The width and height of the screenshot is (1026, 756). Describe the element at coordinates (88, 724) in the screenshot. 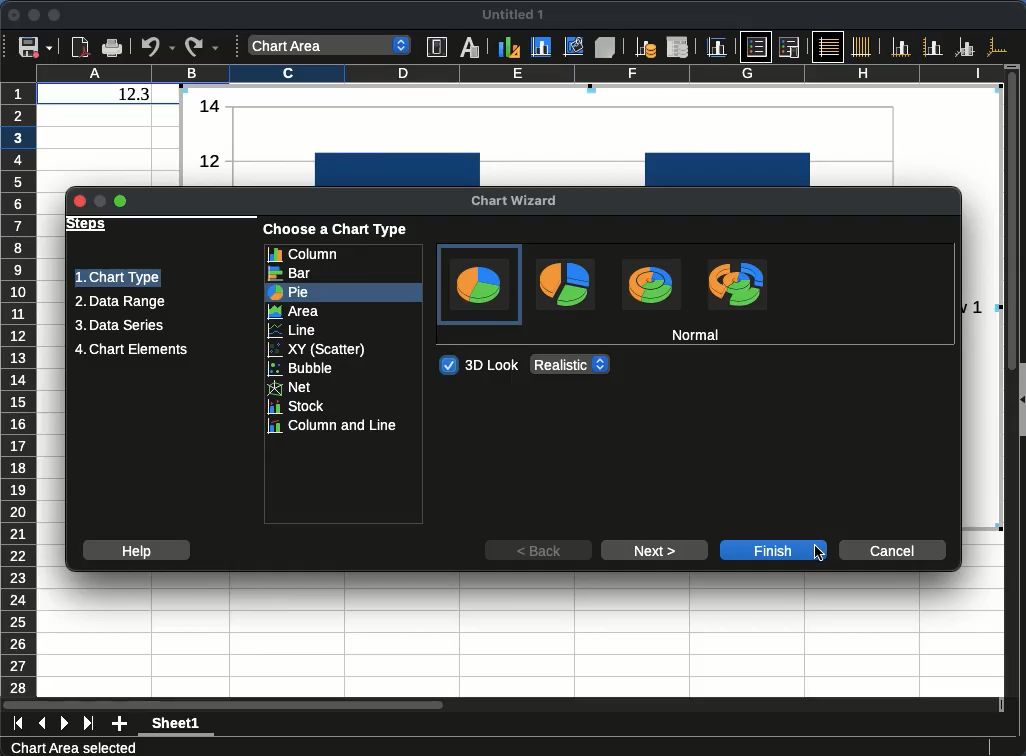

I see `last sheet` at that location.